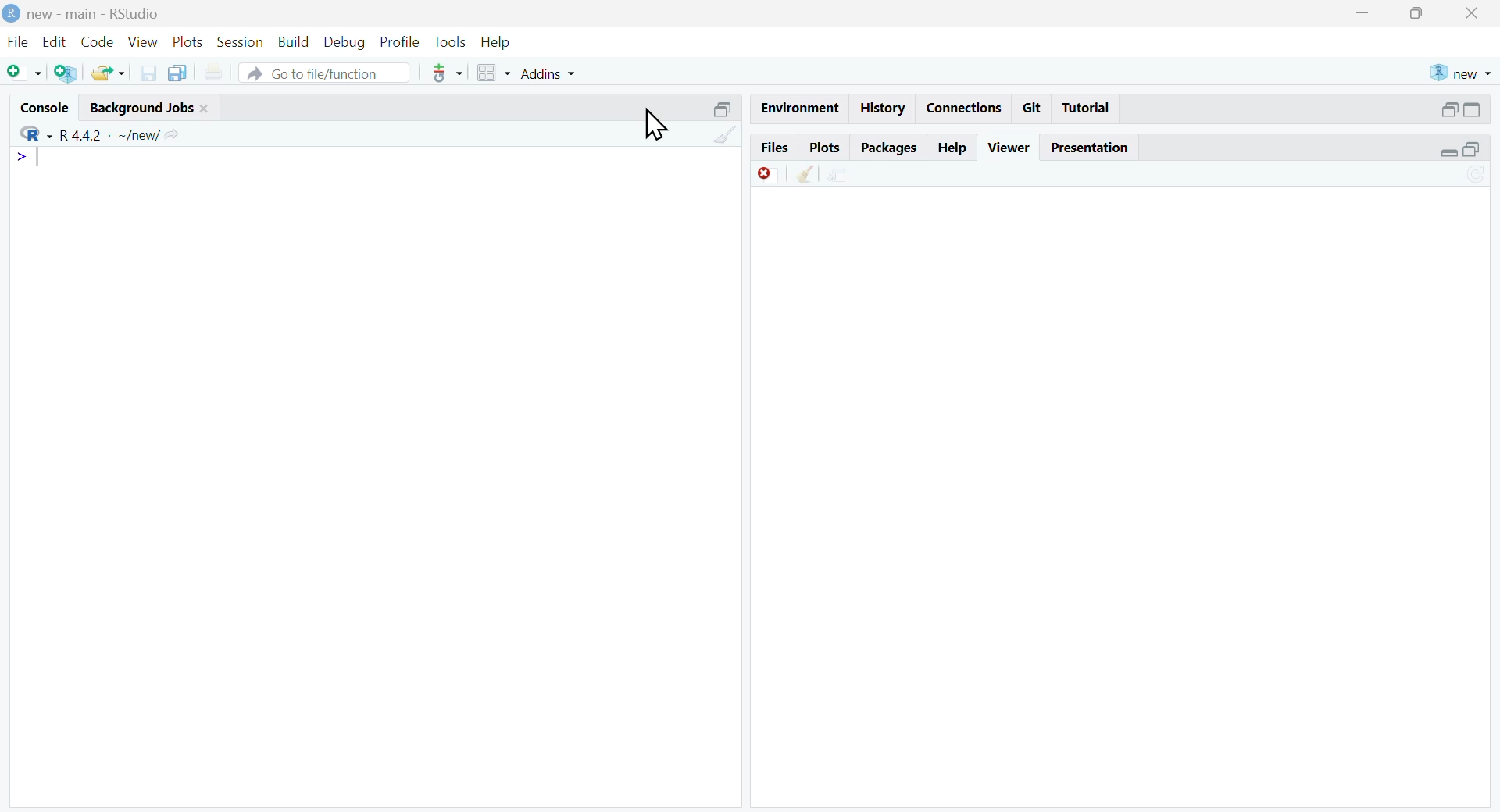 This screenshot has height=812, width=1500. What do you see at coordinates (173, 134) in the screenshot?
I see `share icon` at bounding box center [173, 134].